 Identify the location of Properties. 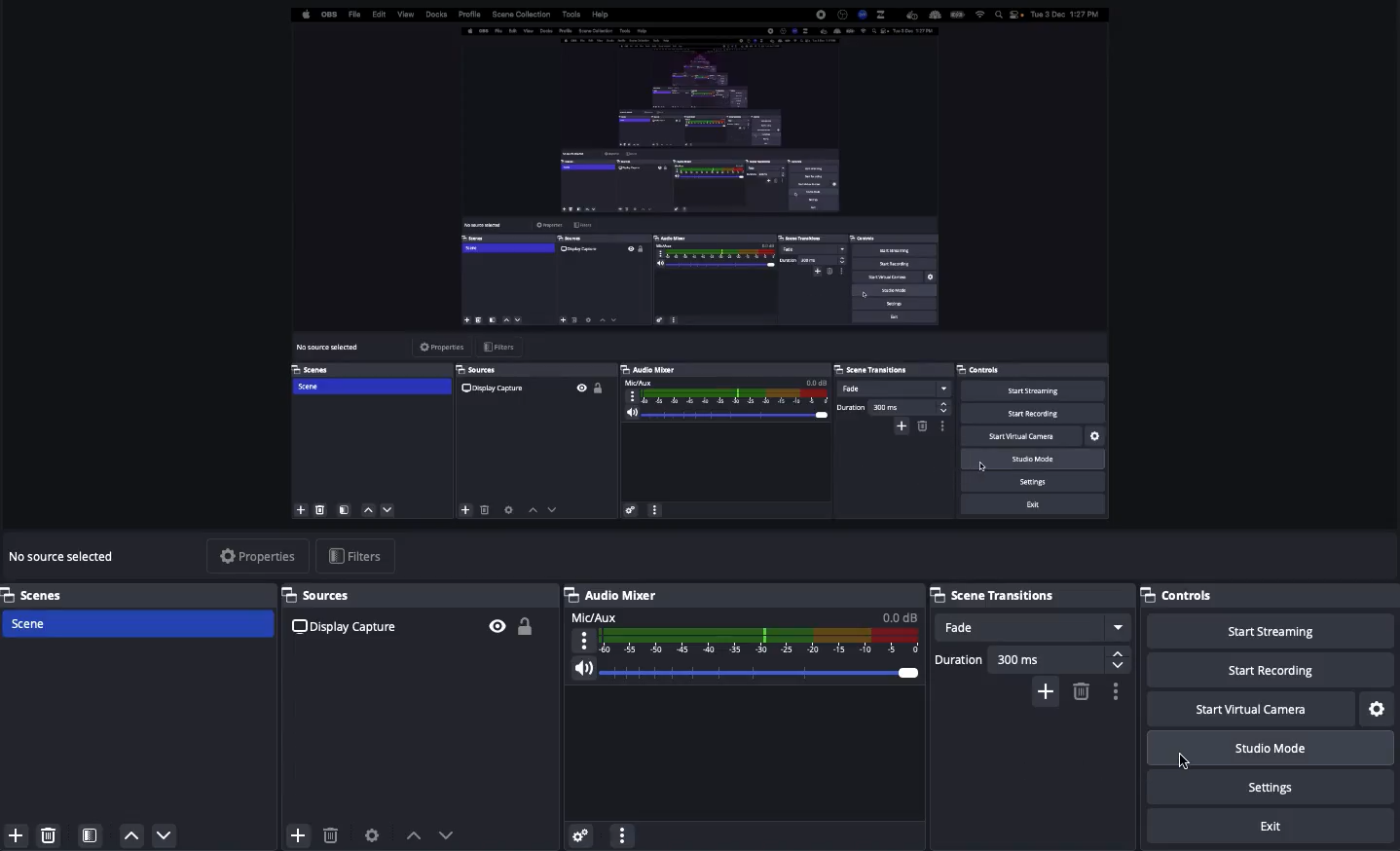
(260, 556).